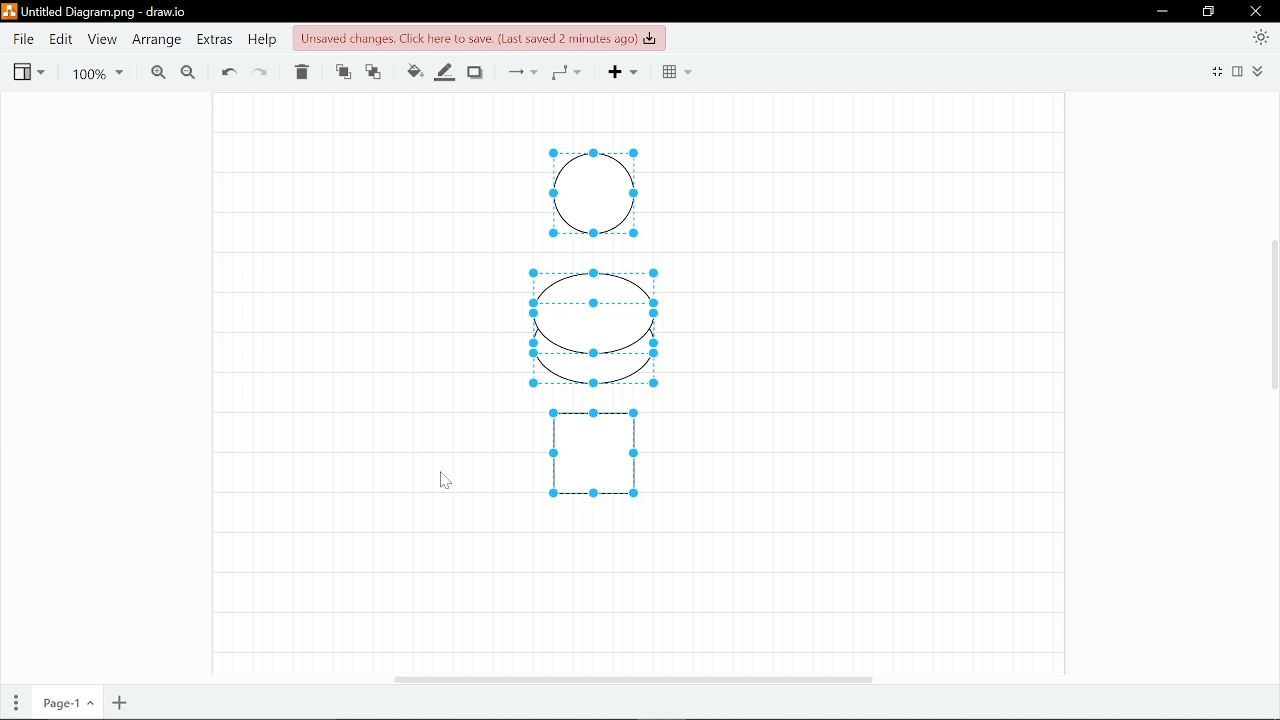 The width and height of the screenshot is (1280, 720). Describe the element at coordinates (262, 41) in the screenshot. I see `Help` at that location.